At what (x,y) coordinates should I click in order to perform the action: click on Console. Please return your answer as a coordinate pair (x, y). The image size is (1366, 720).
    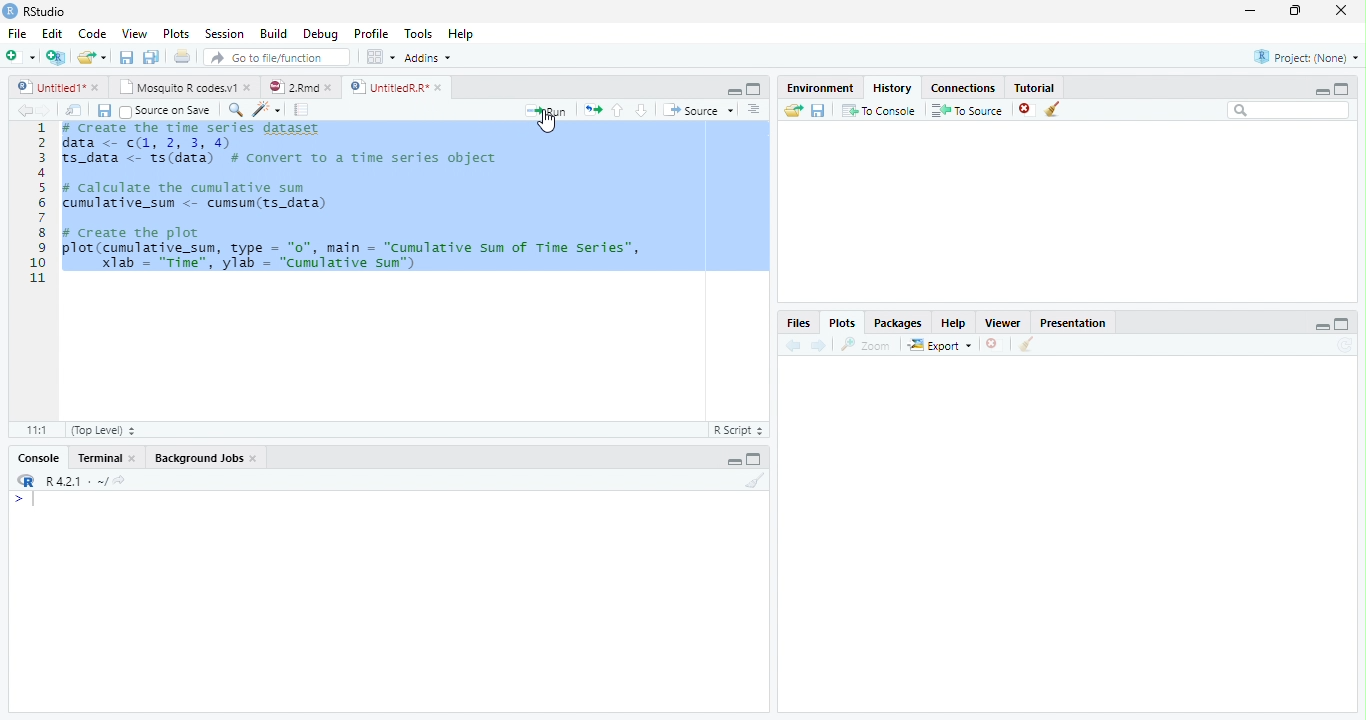
    Looking at the image, I should click on (38, 456).